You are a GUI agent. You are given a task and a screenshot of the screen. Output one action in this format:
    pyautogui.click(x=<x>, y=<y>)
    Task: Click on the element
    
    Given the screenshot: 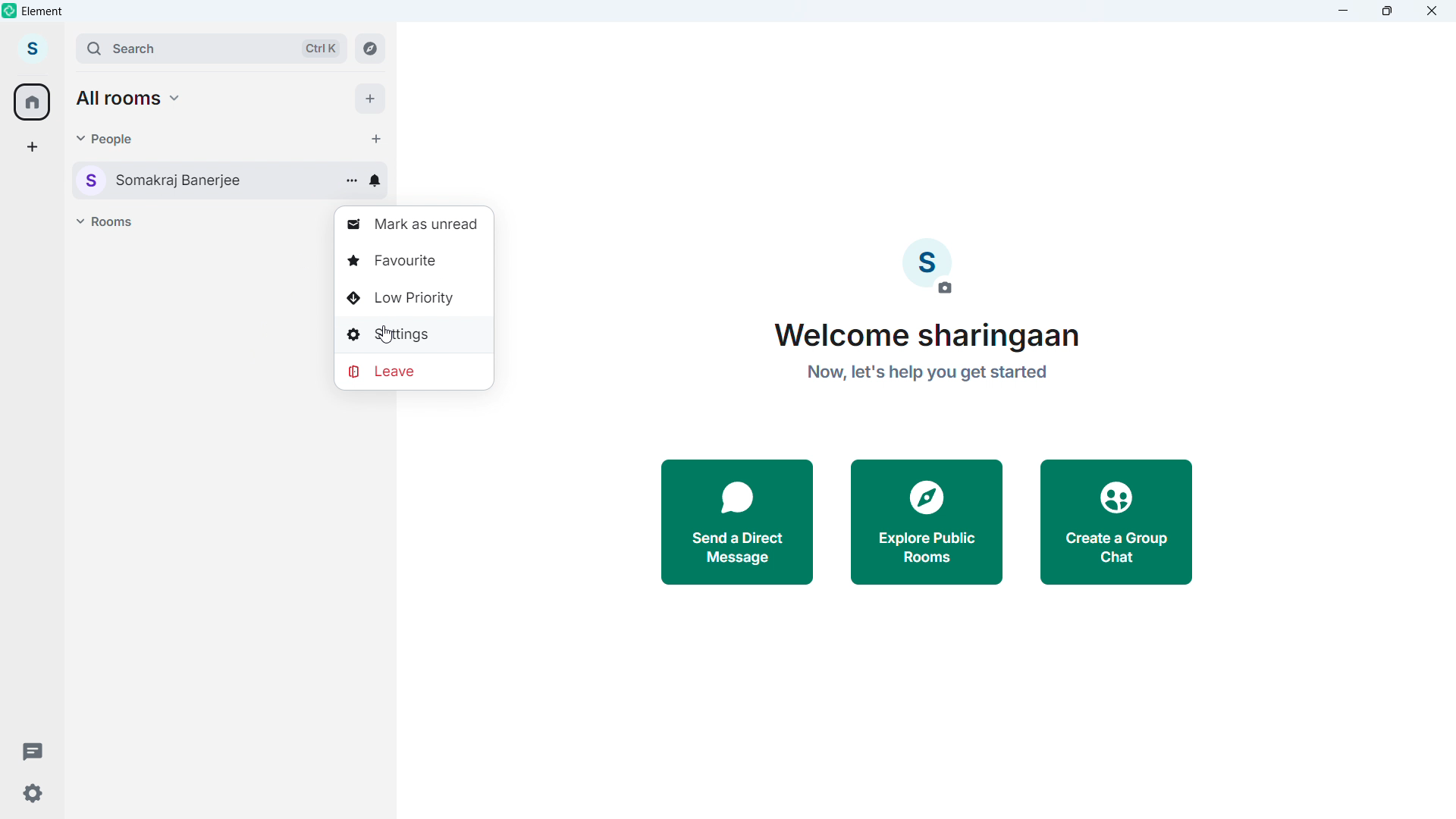 What is the action you would take?
    pyautogui.click(x=42, y=11)
    